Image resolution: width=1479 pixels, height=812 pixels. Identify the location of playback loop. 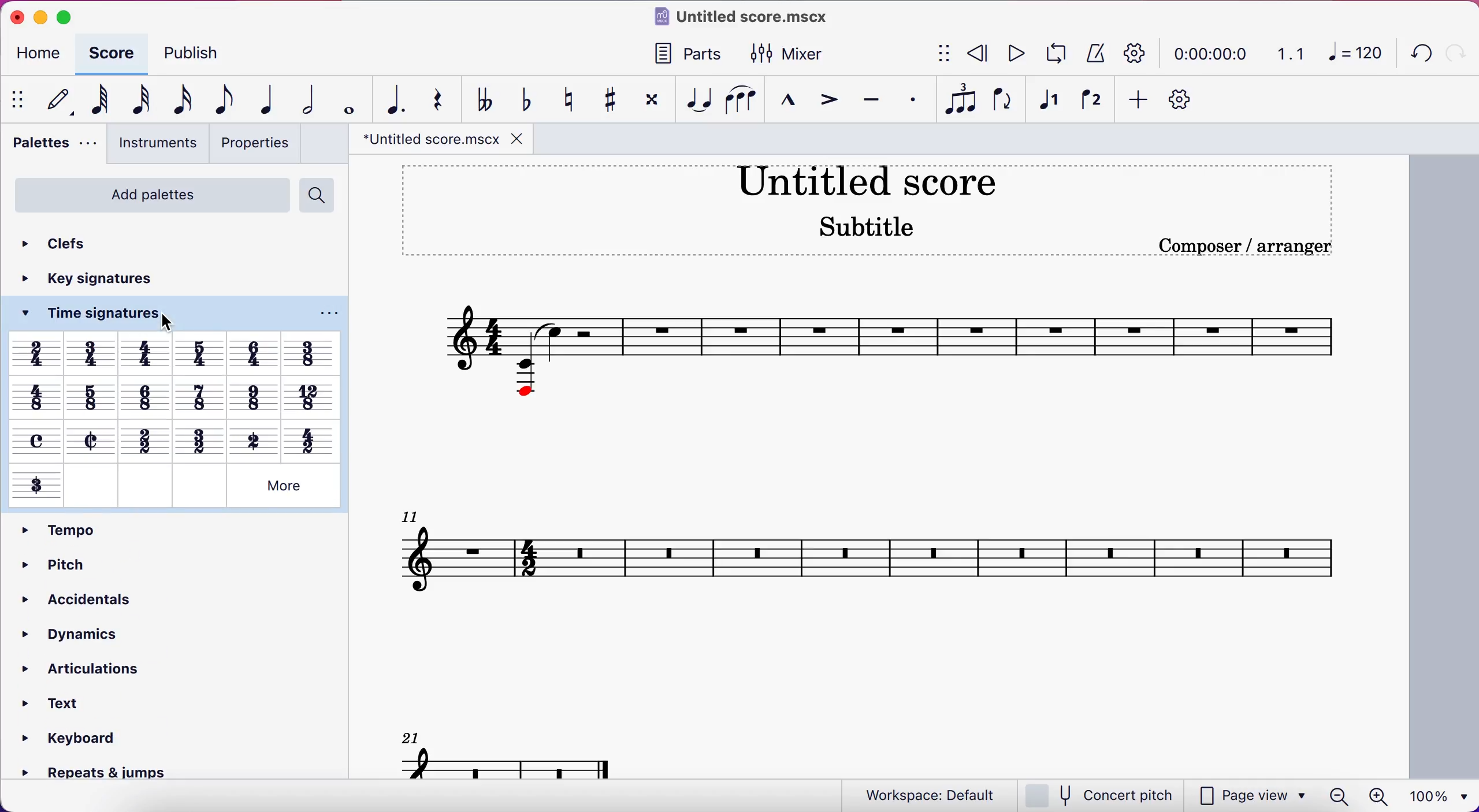
(1058, 51).